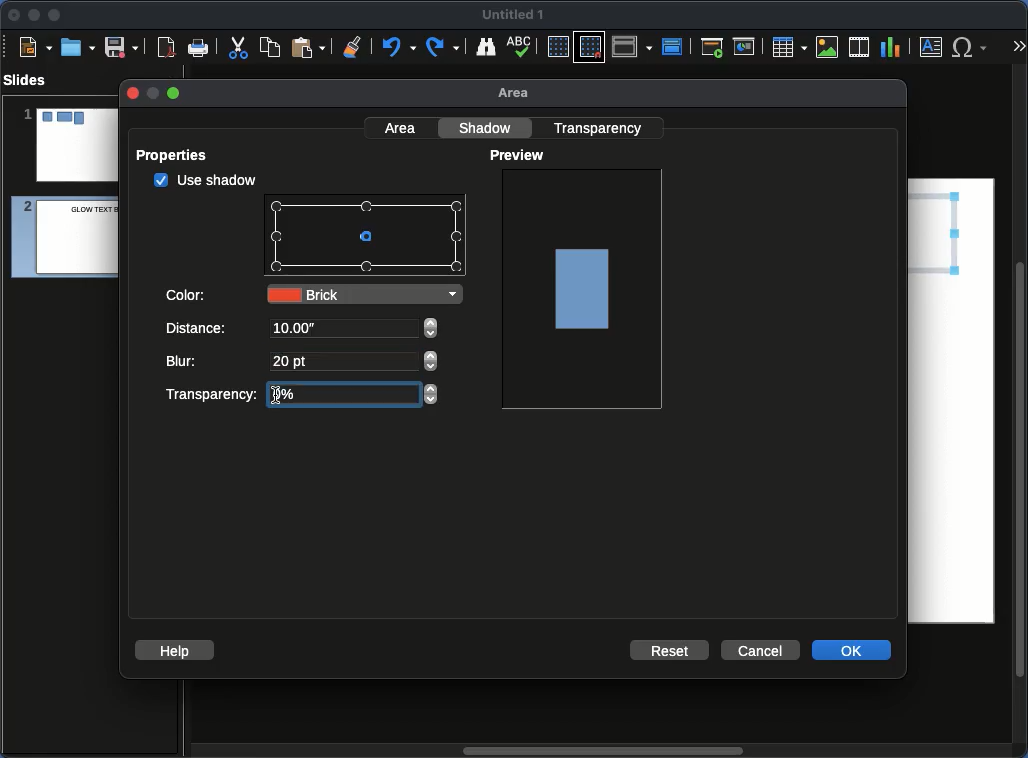 Image resolution: width=1028 pixels, height=758 pixels. I want to click on Area, so click(402, 127).